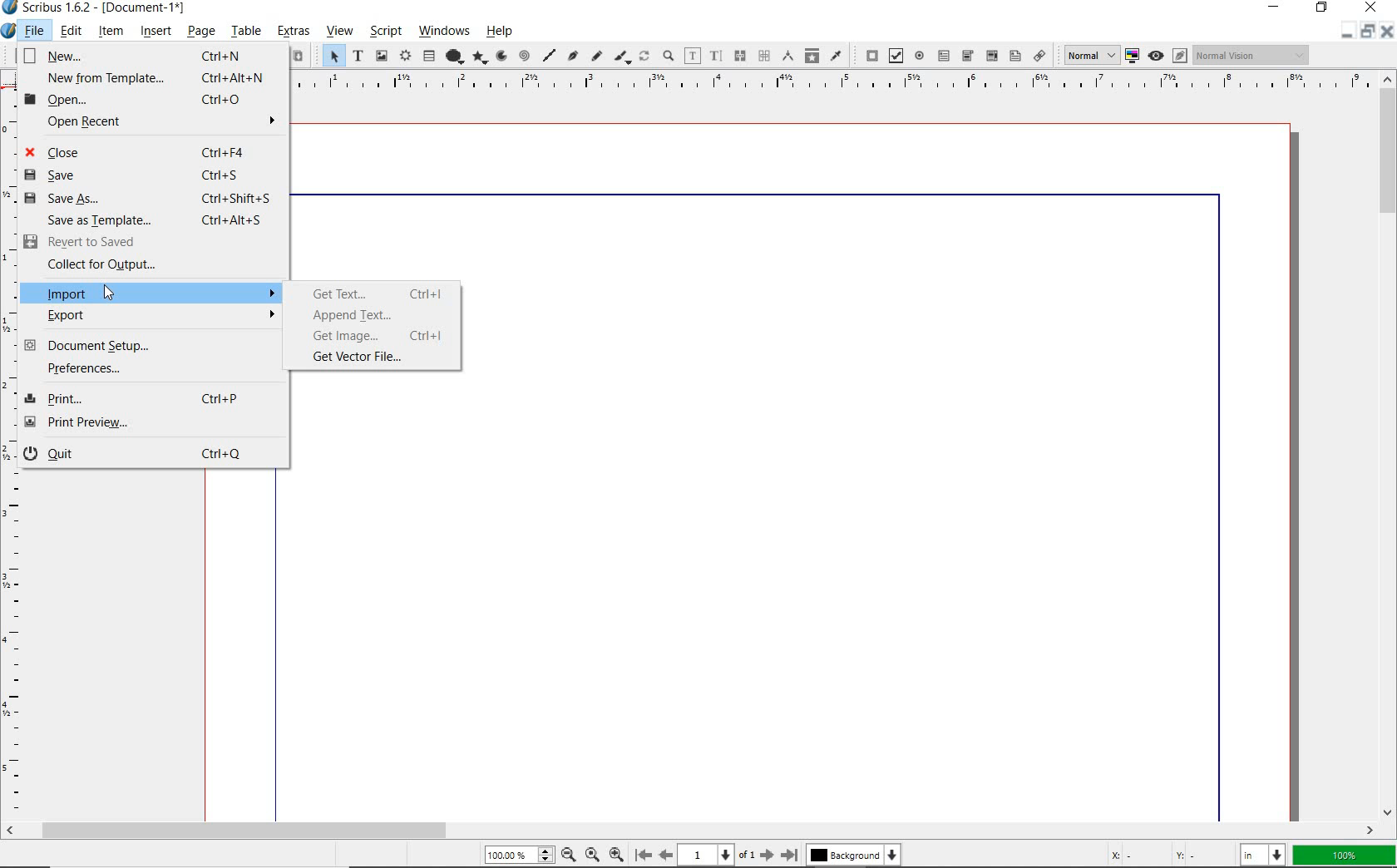  Describe the element at coordinates (152, 175) in the screenshot. I see `Save Ctrl+S` at that location.